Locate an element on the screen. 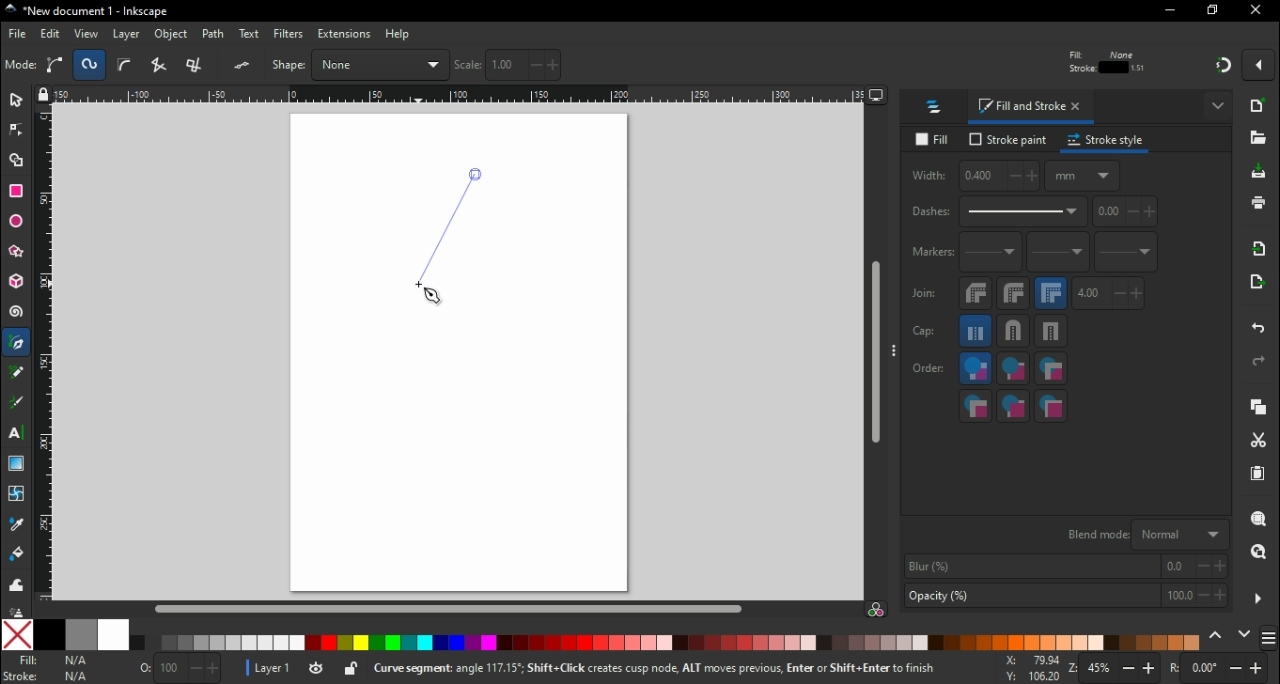 This screenshot has height=684, width=1280. create spiro path is located at coordinates (90, 64).